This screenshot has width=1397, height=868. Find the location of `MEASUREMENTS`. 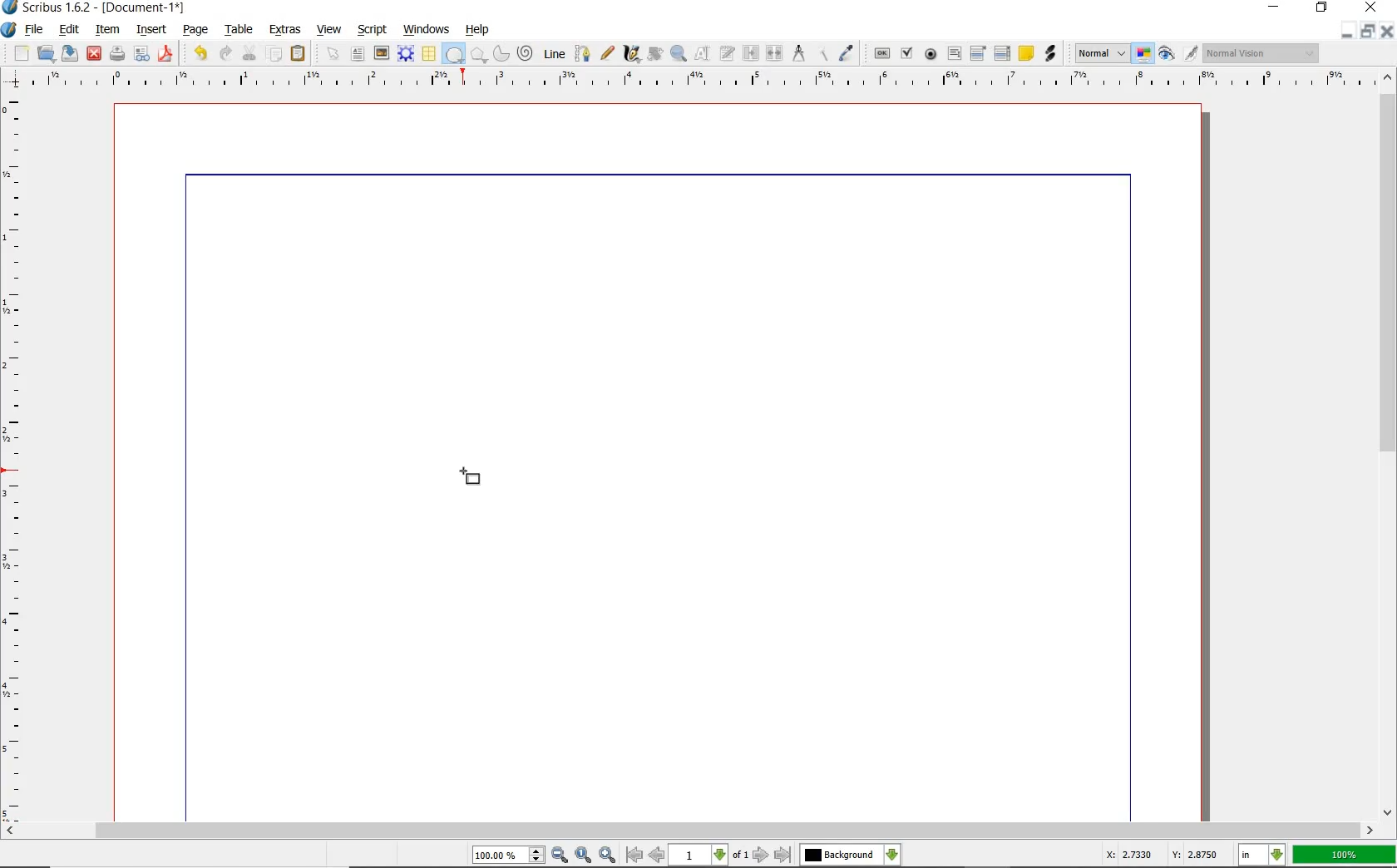

MEASUREMENTS is located at coordinates (798, 54).